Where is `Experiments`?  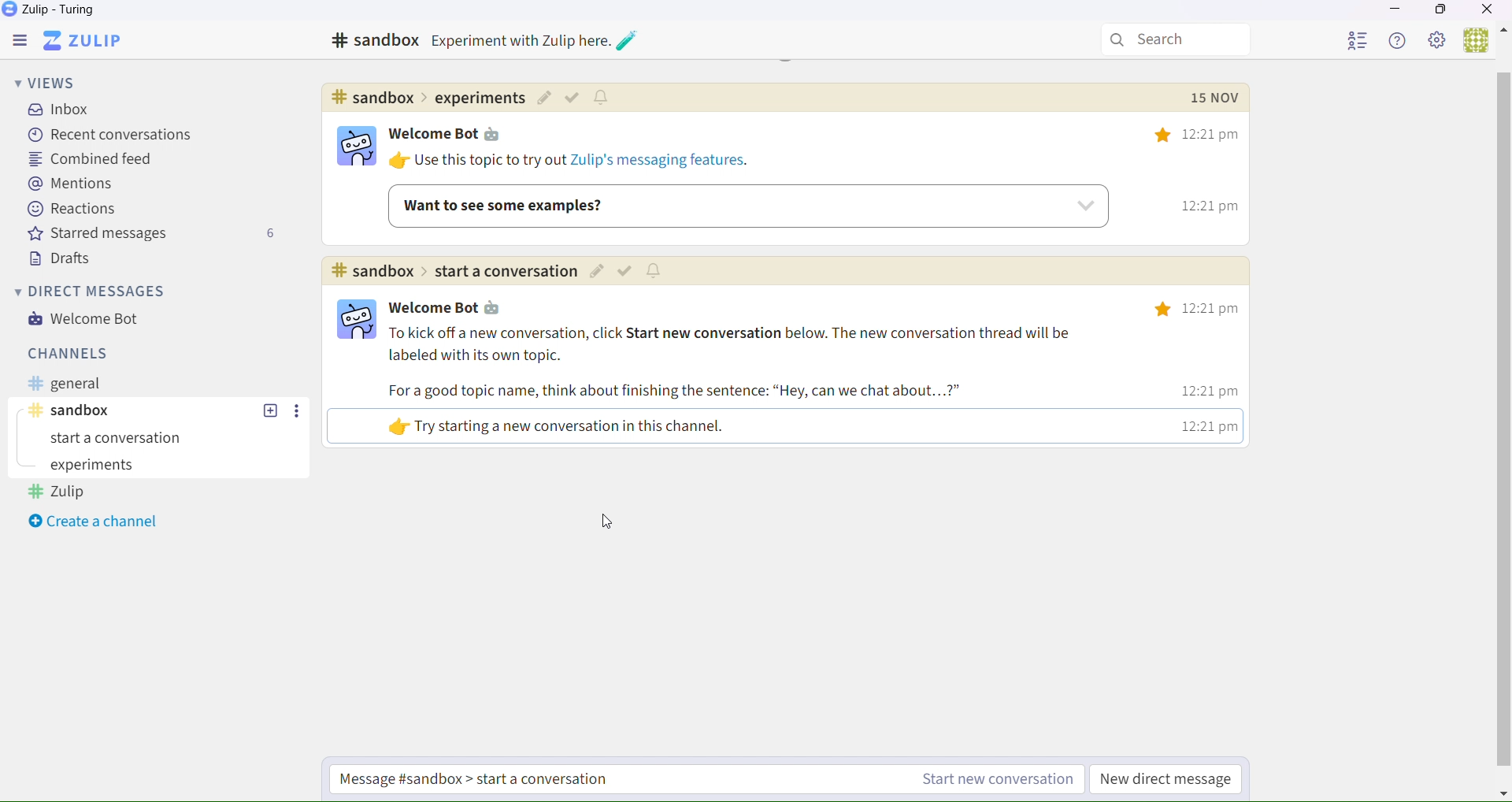
Experiments is located at coordinates (94, 466).